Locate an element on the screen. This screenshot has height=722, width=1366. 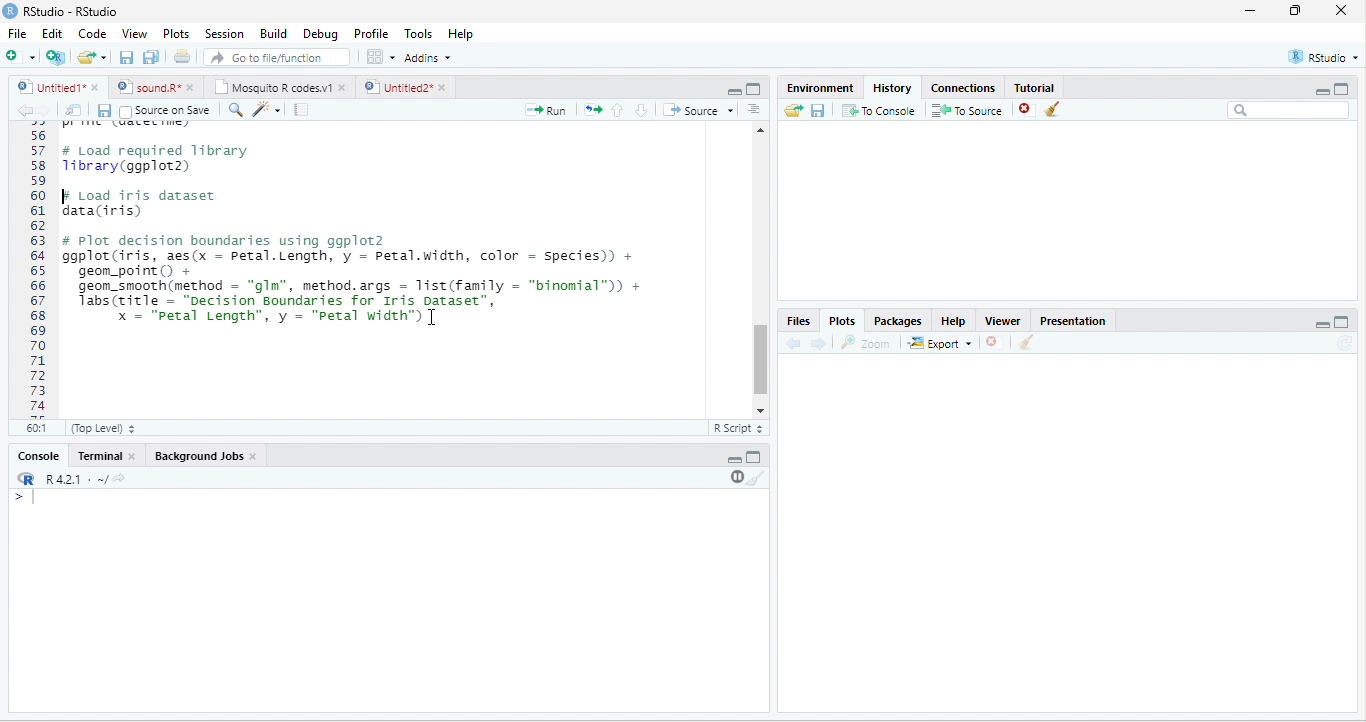
Tools is located at coordinates (420, 34).